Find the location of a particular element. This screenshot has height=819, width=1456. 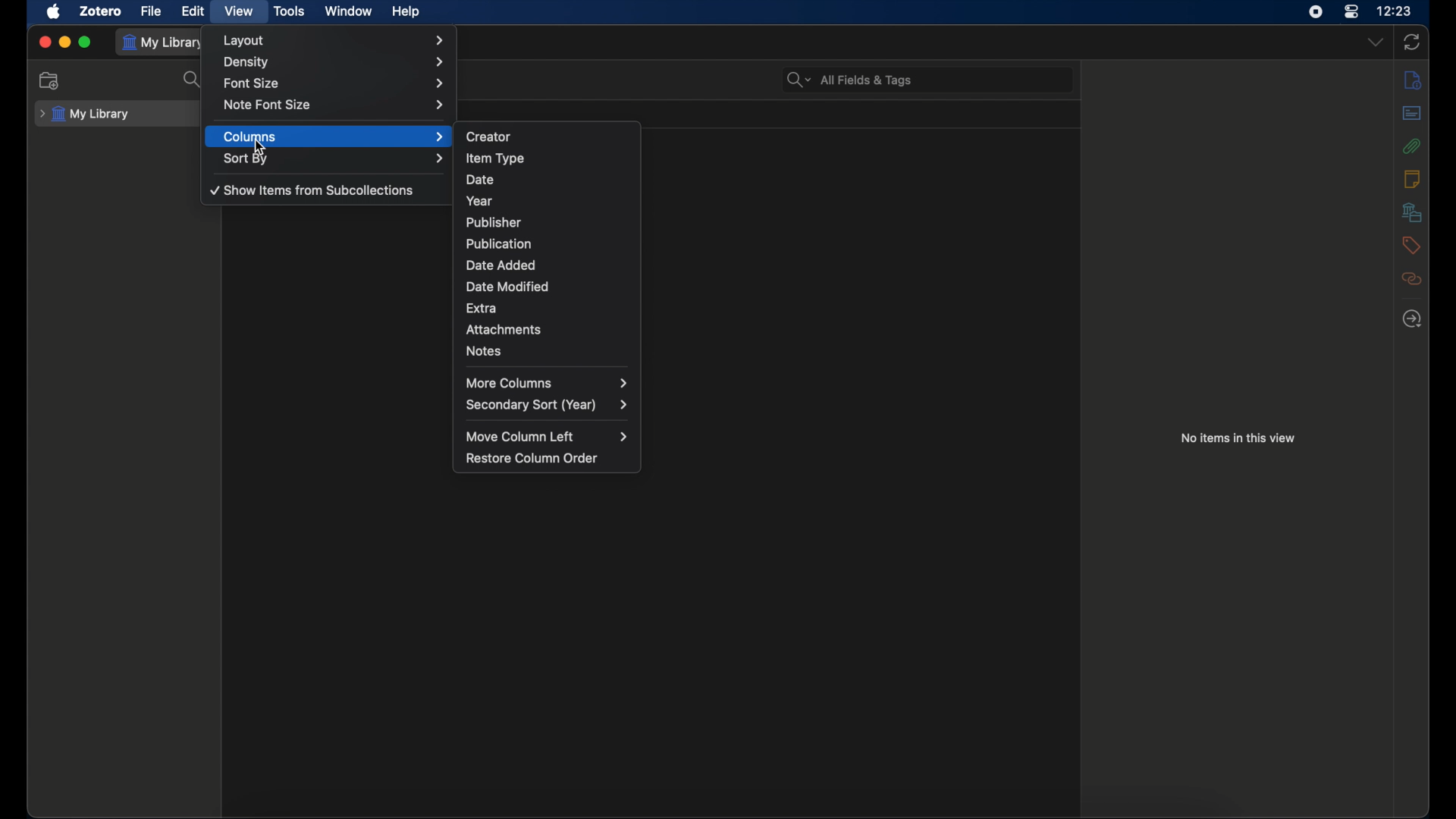

minimize is located at coordinates (65, 42).